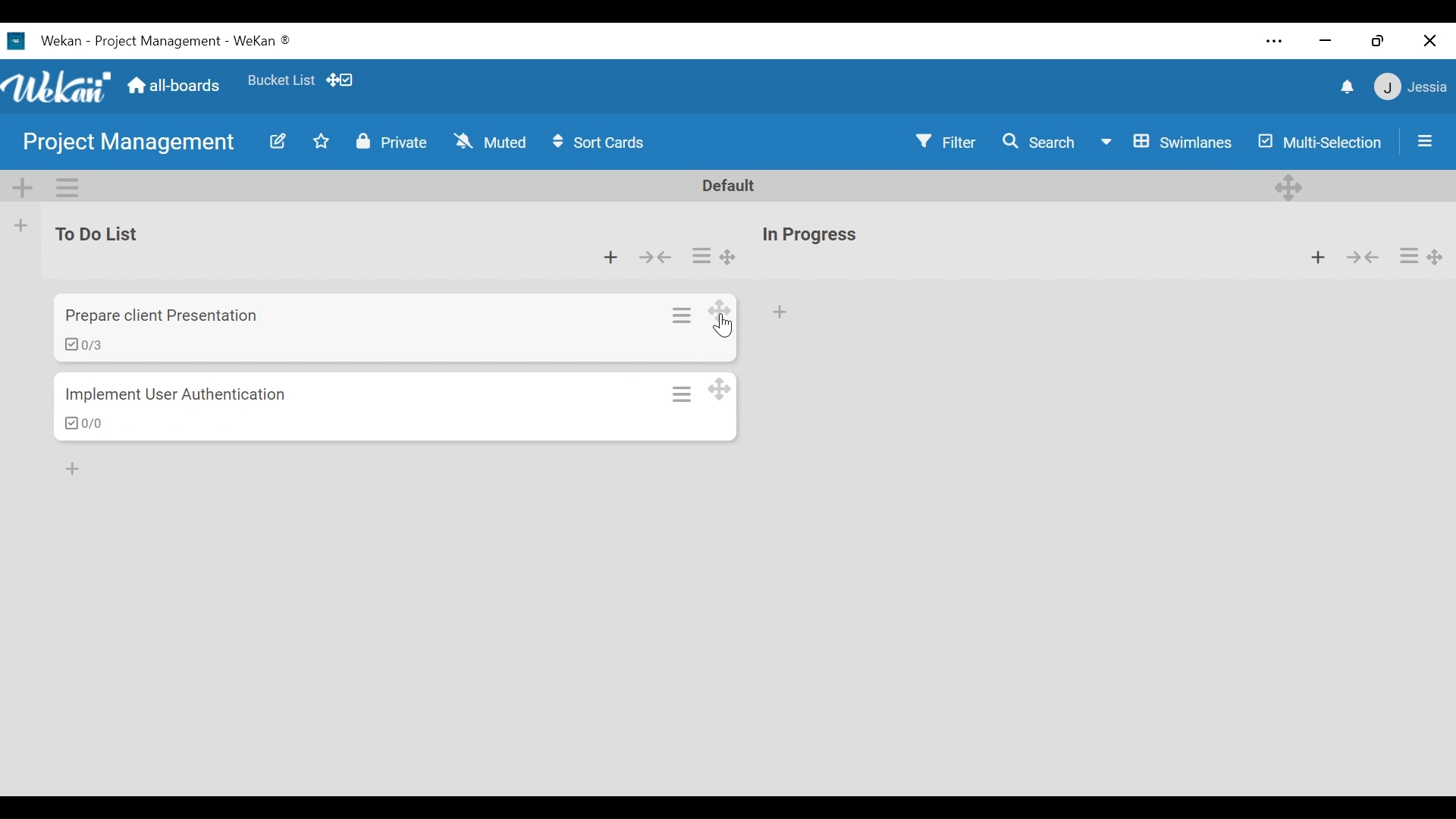 Image resolution: width=1456 pixels, height=819 pixels. Describe the element at coordinates (24, 225) in the screenshot. I see `Add list` at that location.